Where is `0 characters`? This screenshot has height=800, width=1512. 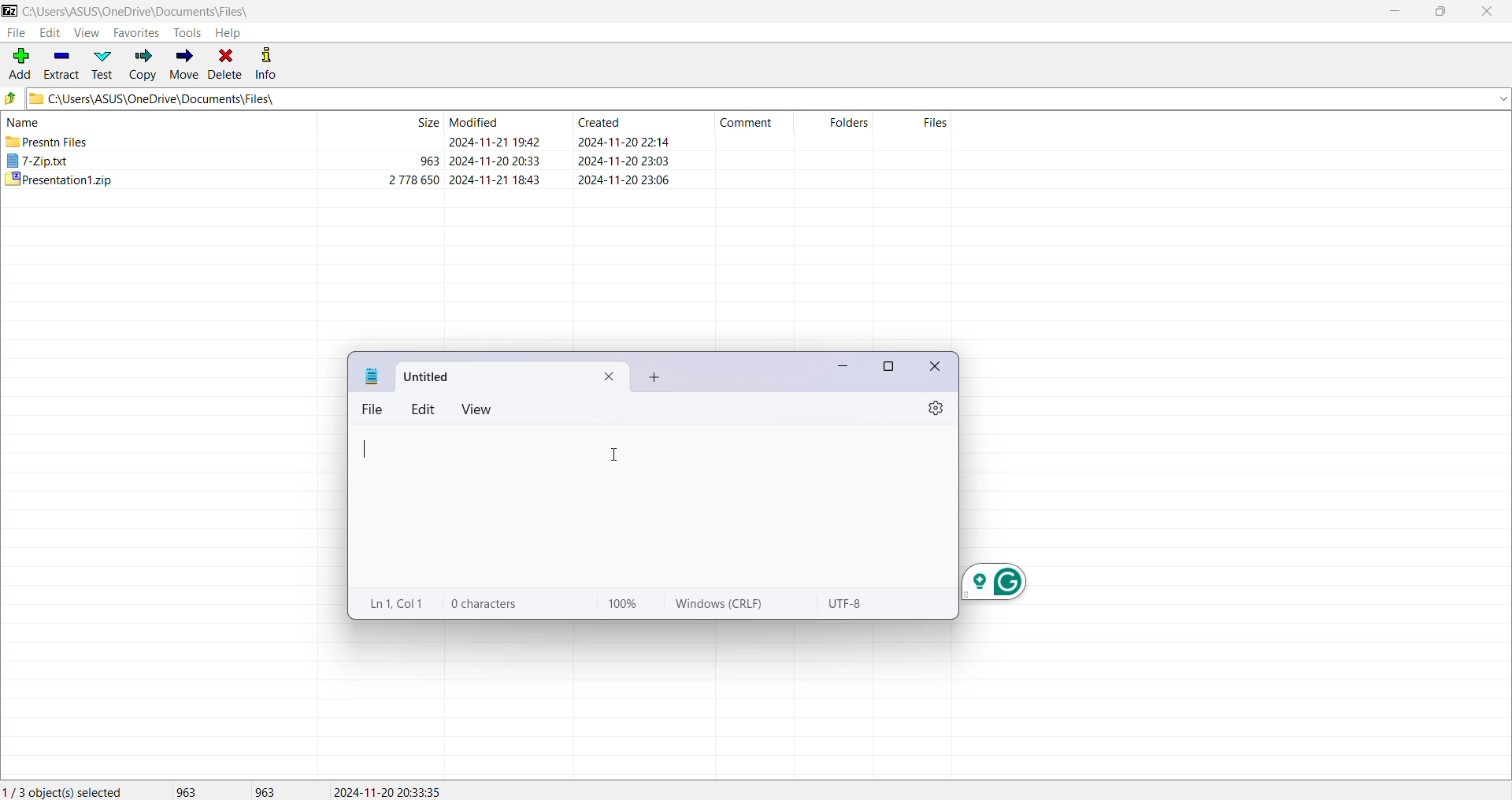
0 characters is located at coordinates (484, 603).